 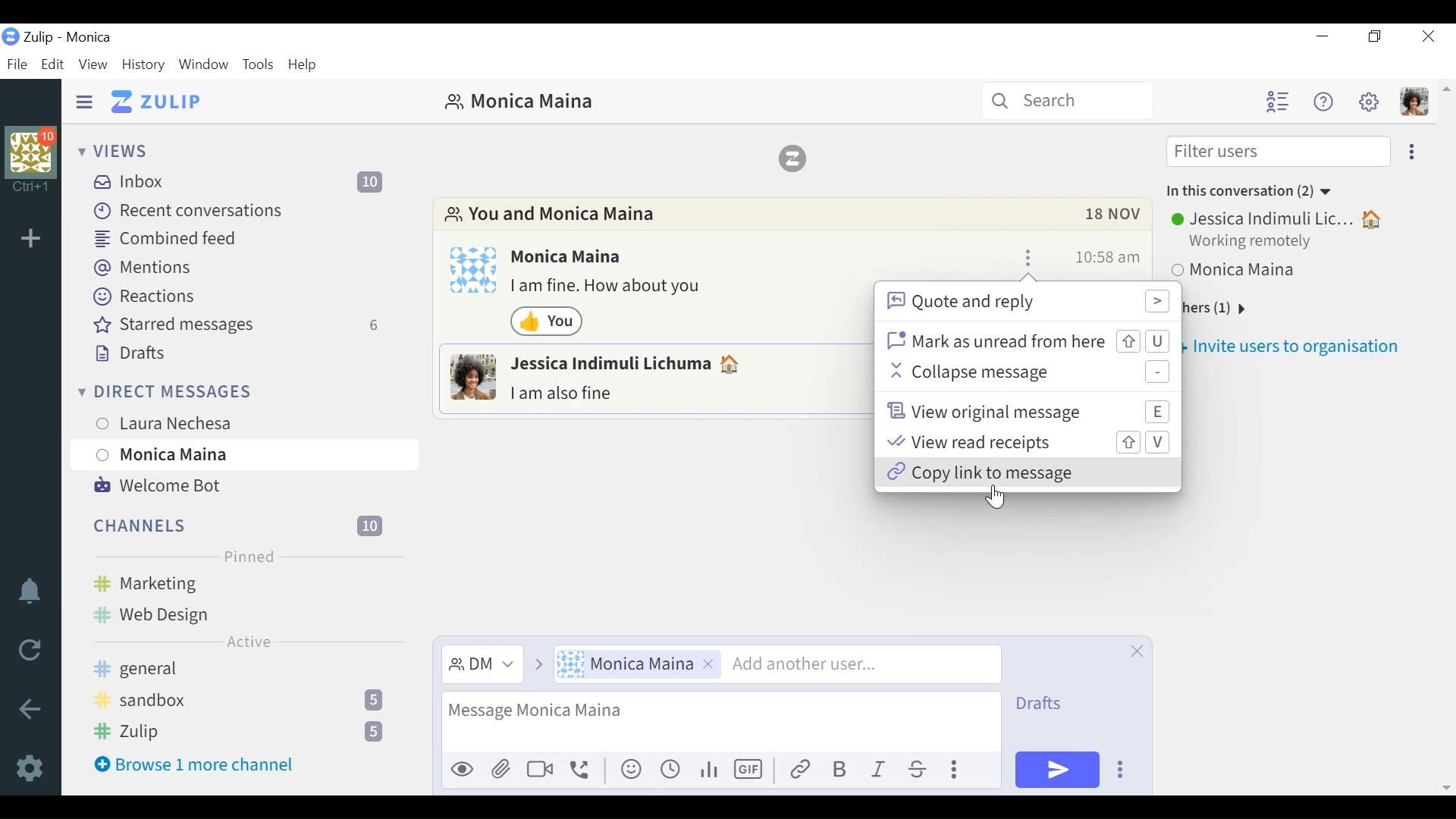 What do you see at coordinates (998, 498) in the screenshot?
I see `Cursor` at bounding box center [998, 498].